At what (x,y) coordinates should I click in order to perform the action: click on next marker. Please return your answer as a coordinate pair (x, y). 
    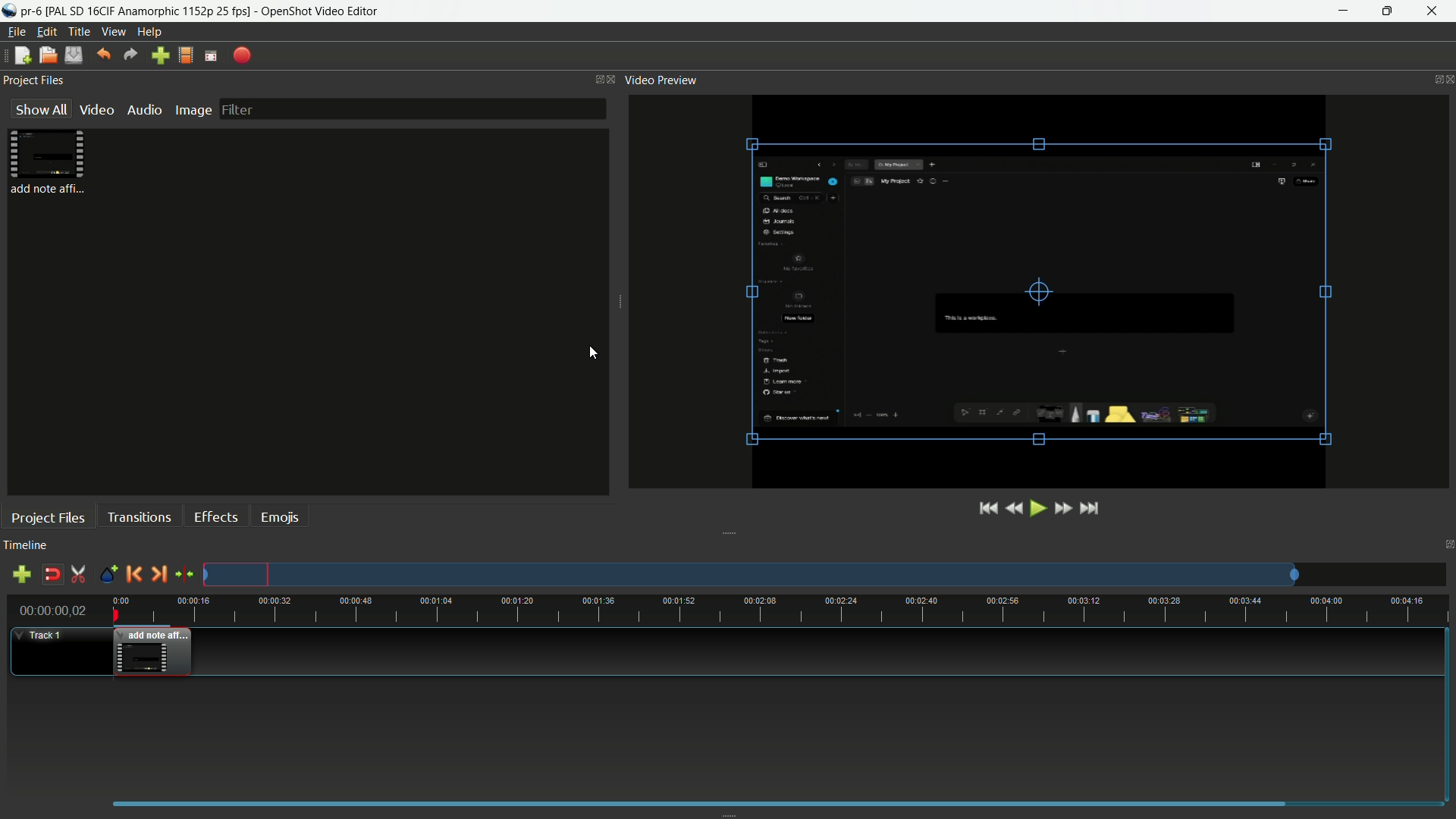
    Looking at the image, I should click on (160, 573).